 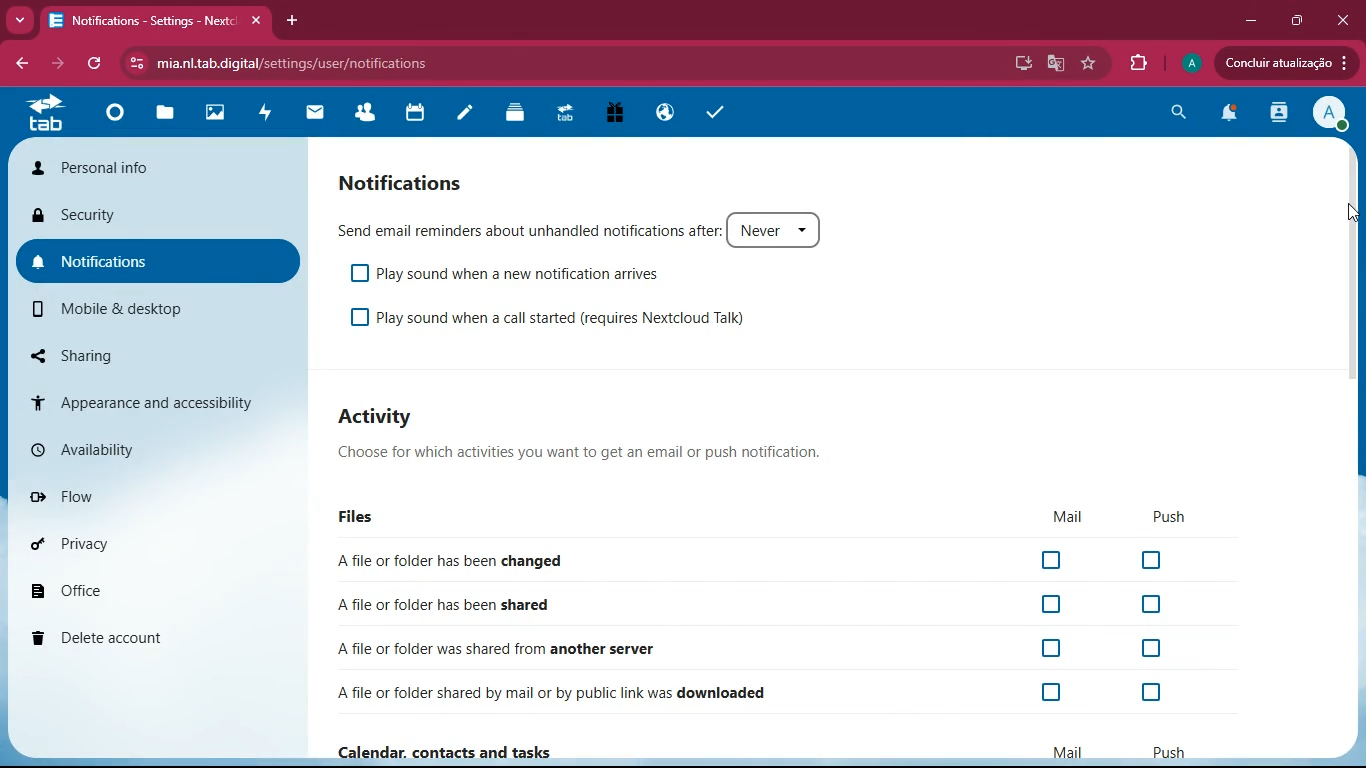 I want to click on View Profile, so click(x=1331, y=114).